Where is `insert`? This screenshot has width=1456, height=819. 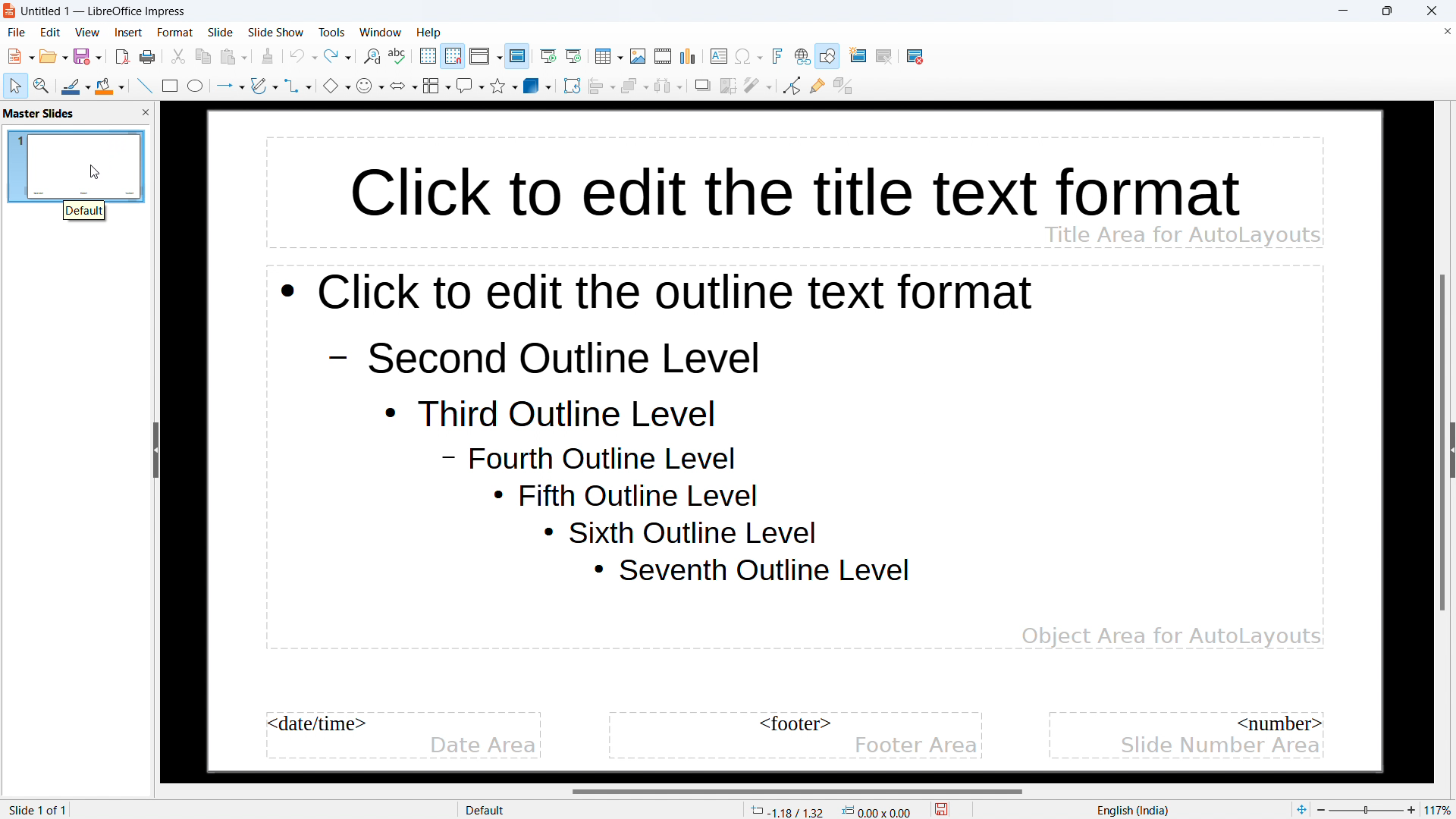
insert is located at coordinates (129, 32).